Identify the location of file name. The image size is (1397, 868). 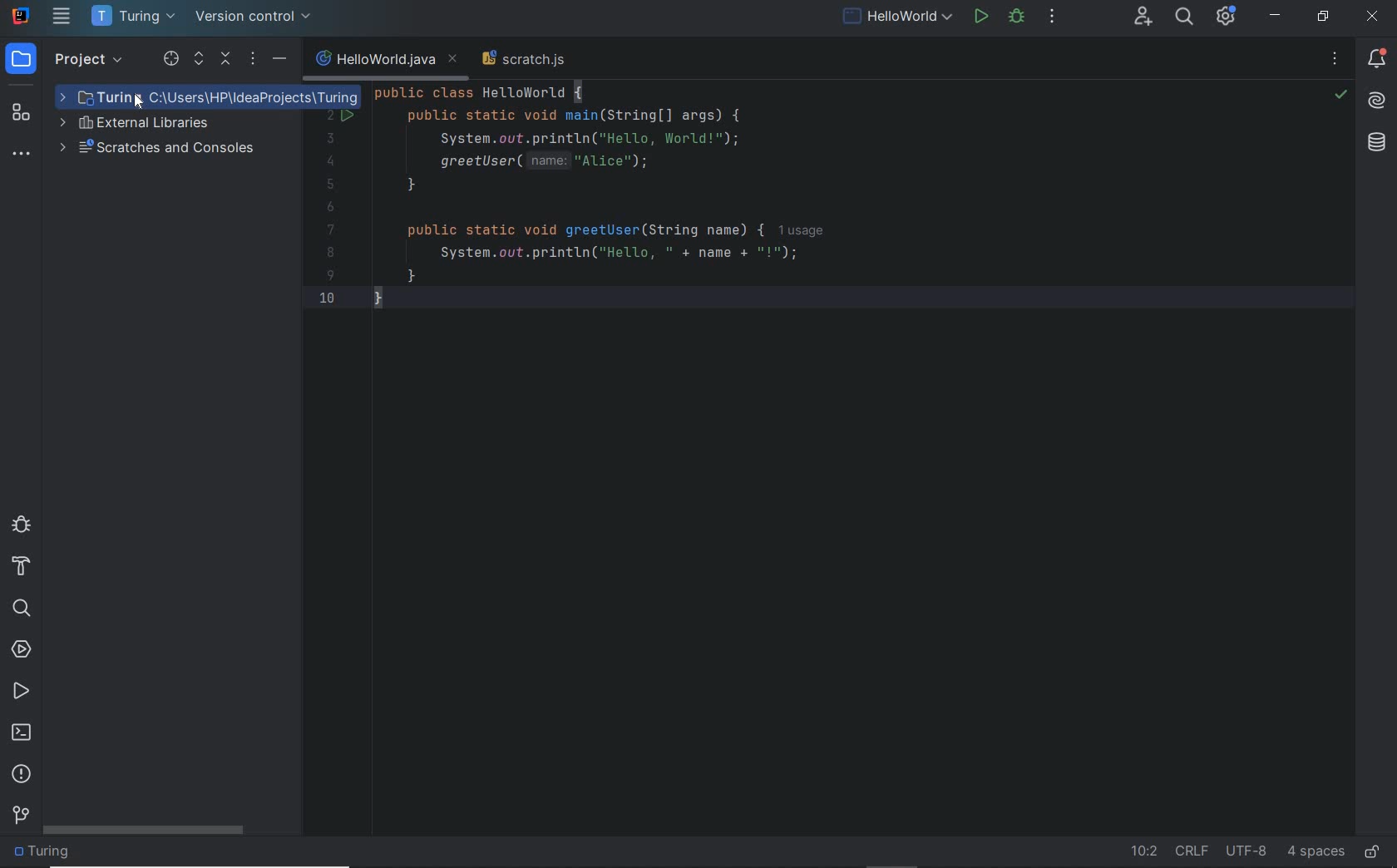
(388, 59).